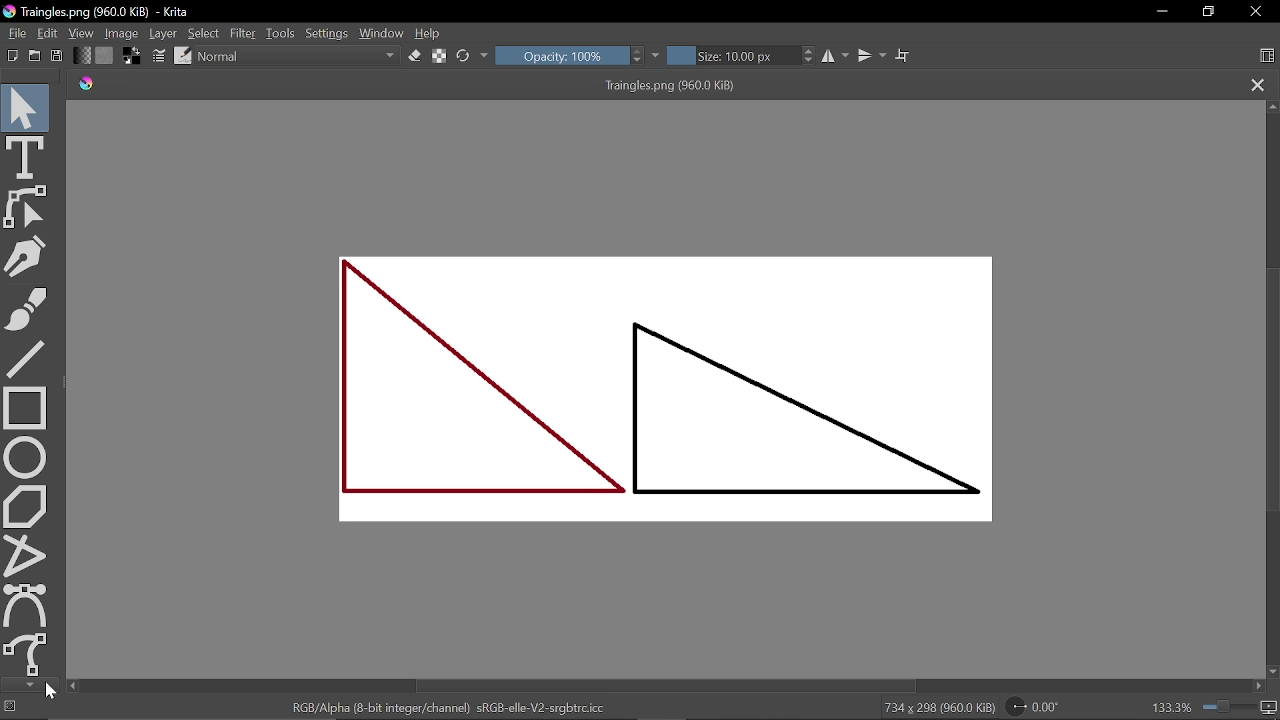 This screenshot has height=720, width=1280. Describe the element at coordinates (874, 57) in the screenshot. I see `Vertical mirror tool` at that location.